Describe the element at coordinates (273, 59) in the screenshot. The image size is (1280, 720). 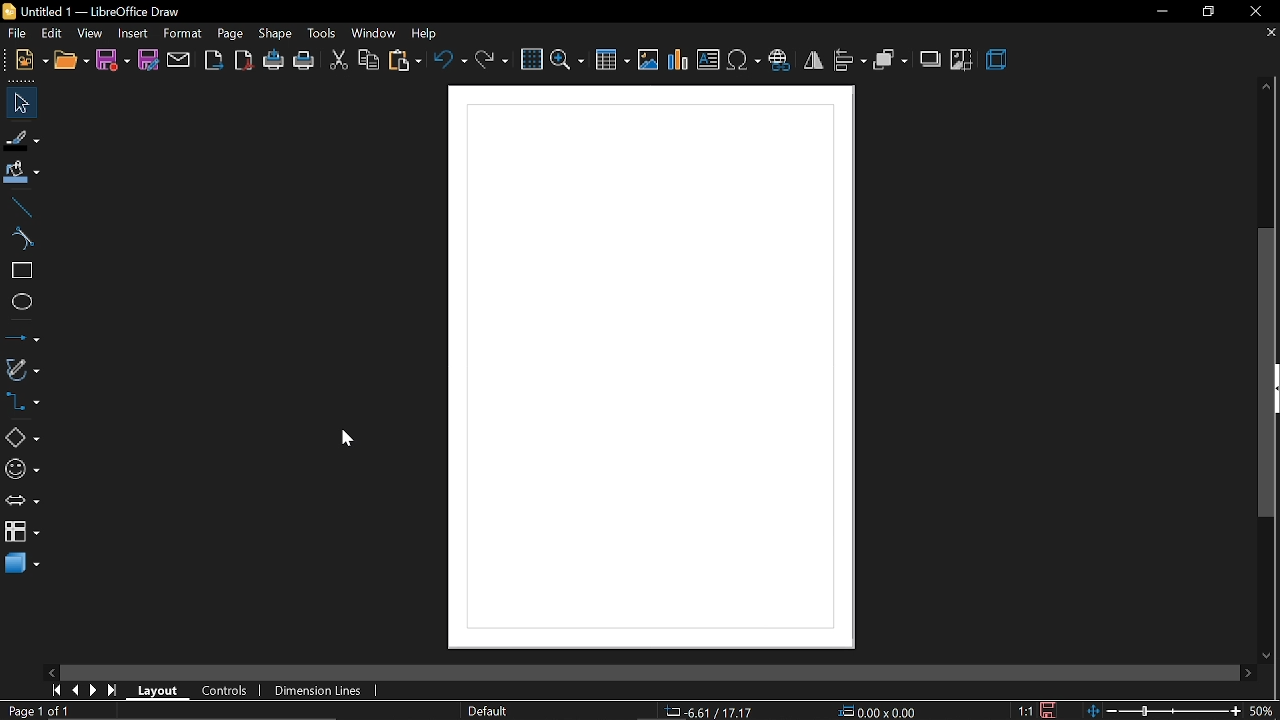
I see `print directly` at that location.